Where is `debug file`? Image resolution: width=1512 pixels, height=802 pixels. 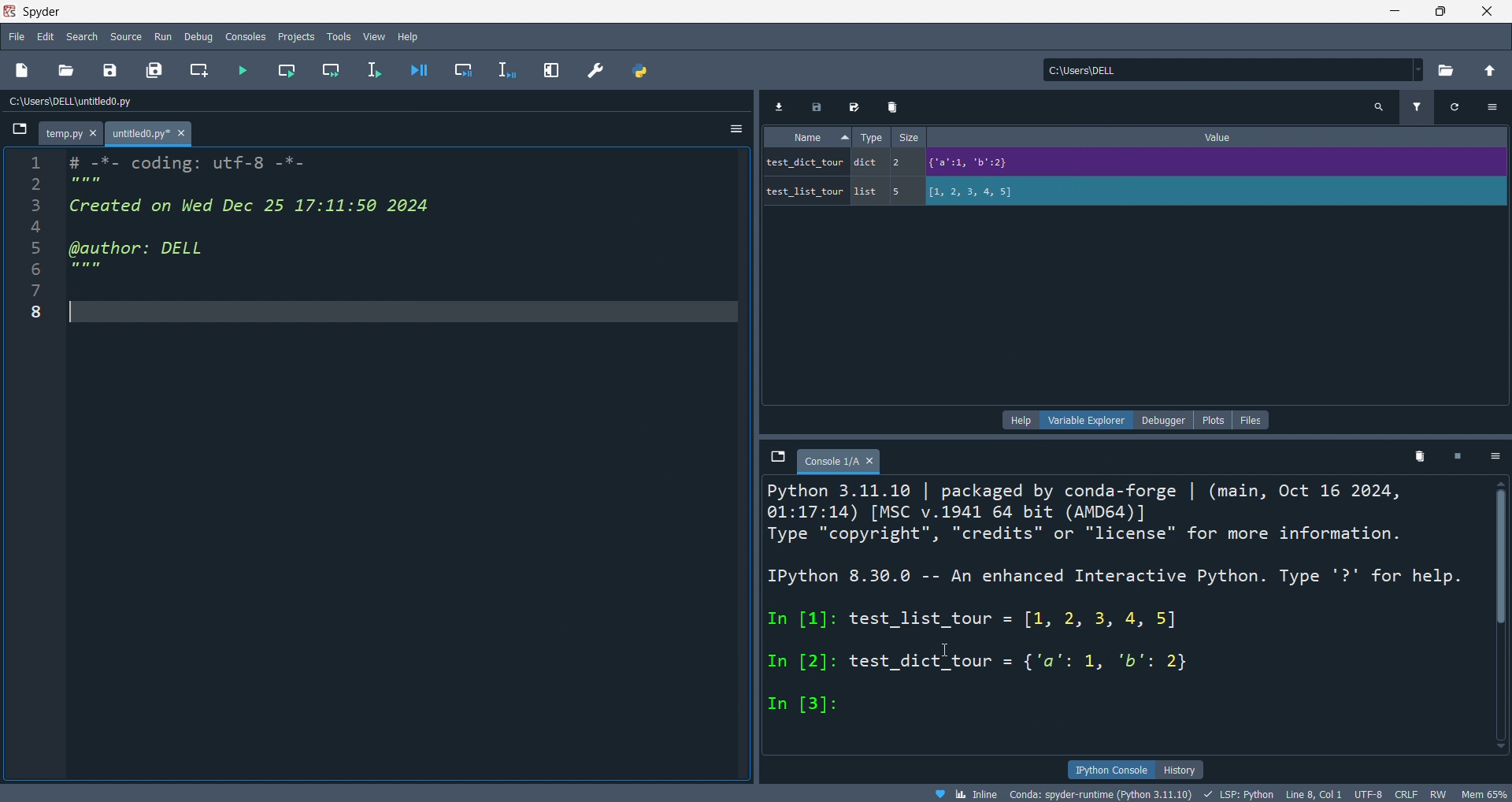
debug file is located at coordinates (422, 71).